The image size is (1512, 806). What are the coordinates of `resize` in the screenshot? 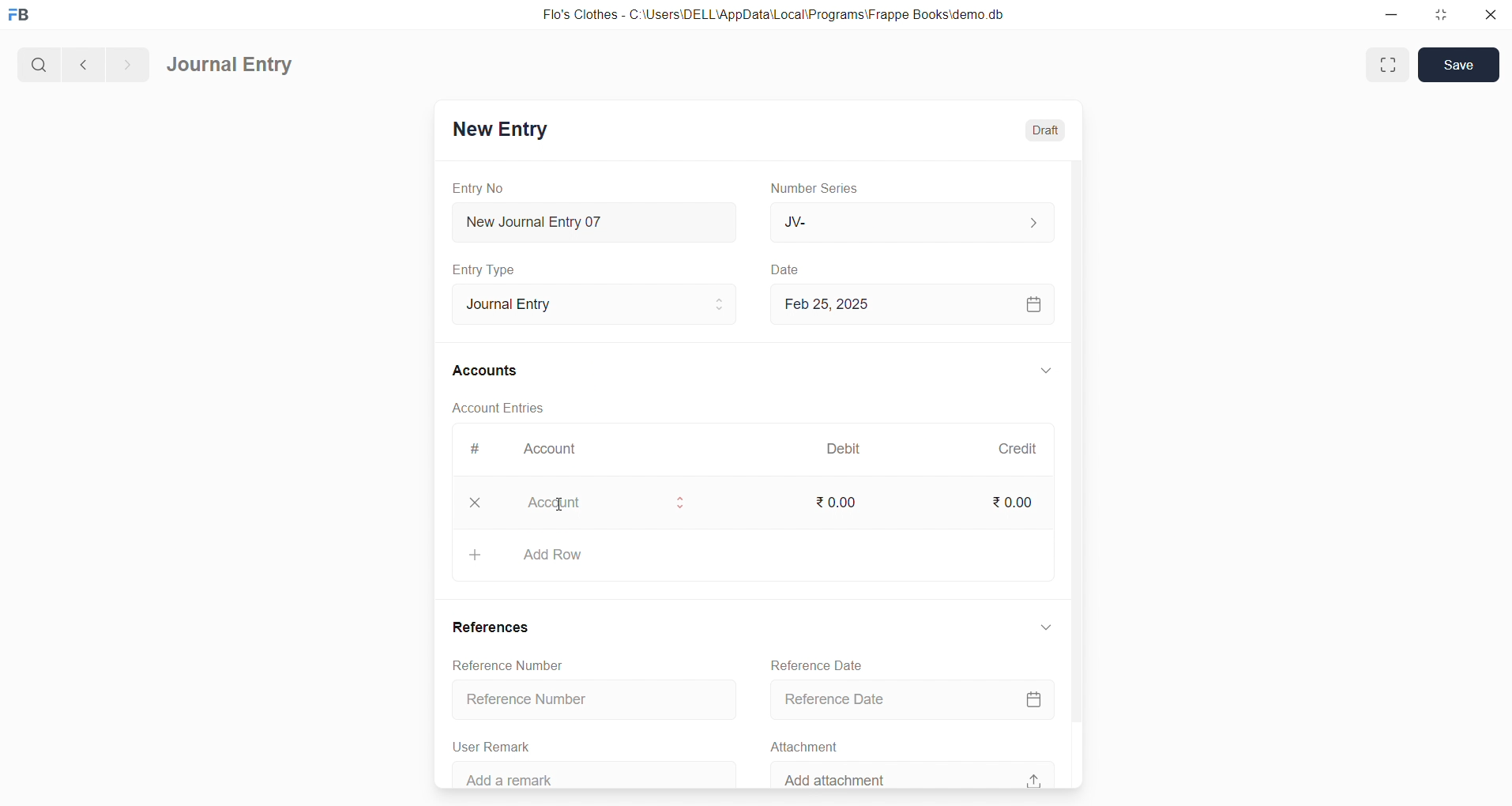 It's located at (1439, 16).